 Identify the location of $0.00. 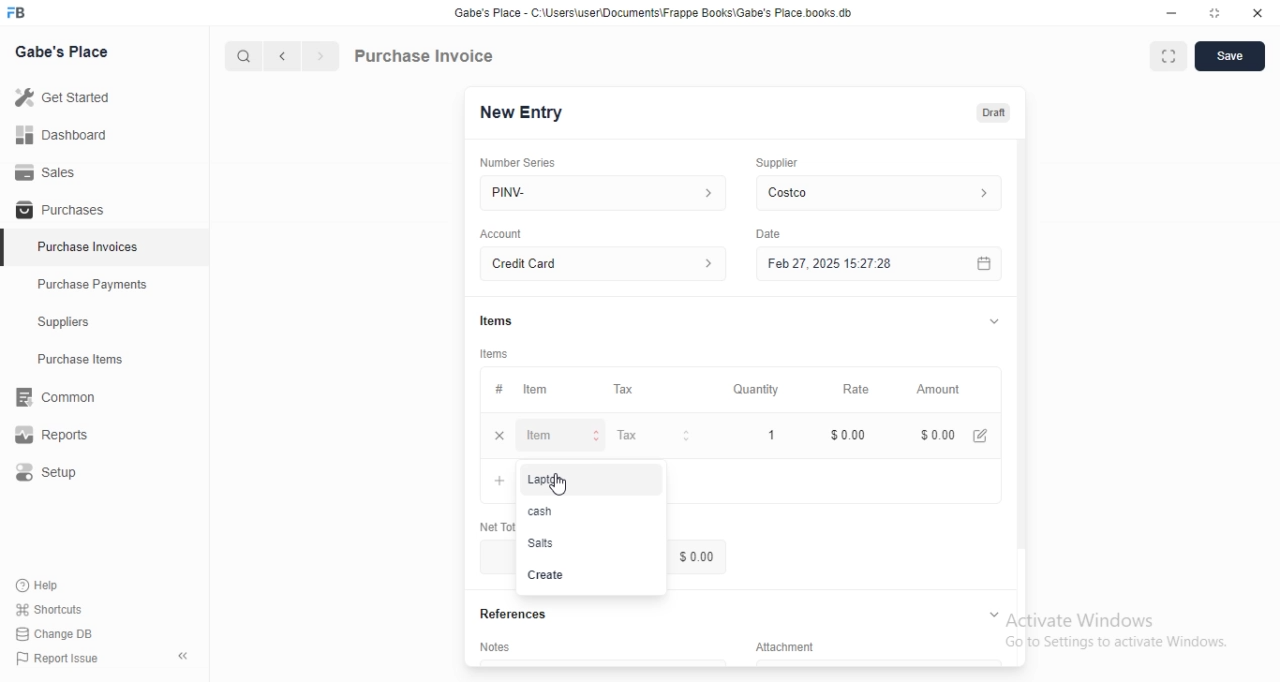
(841, 435).